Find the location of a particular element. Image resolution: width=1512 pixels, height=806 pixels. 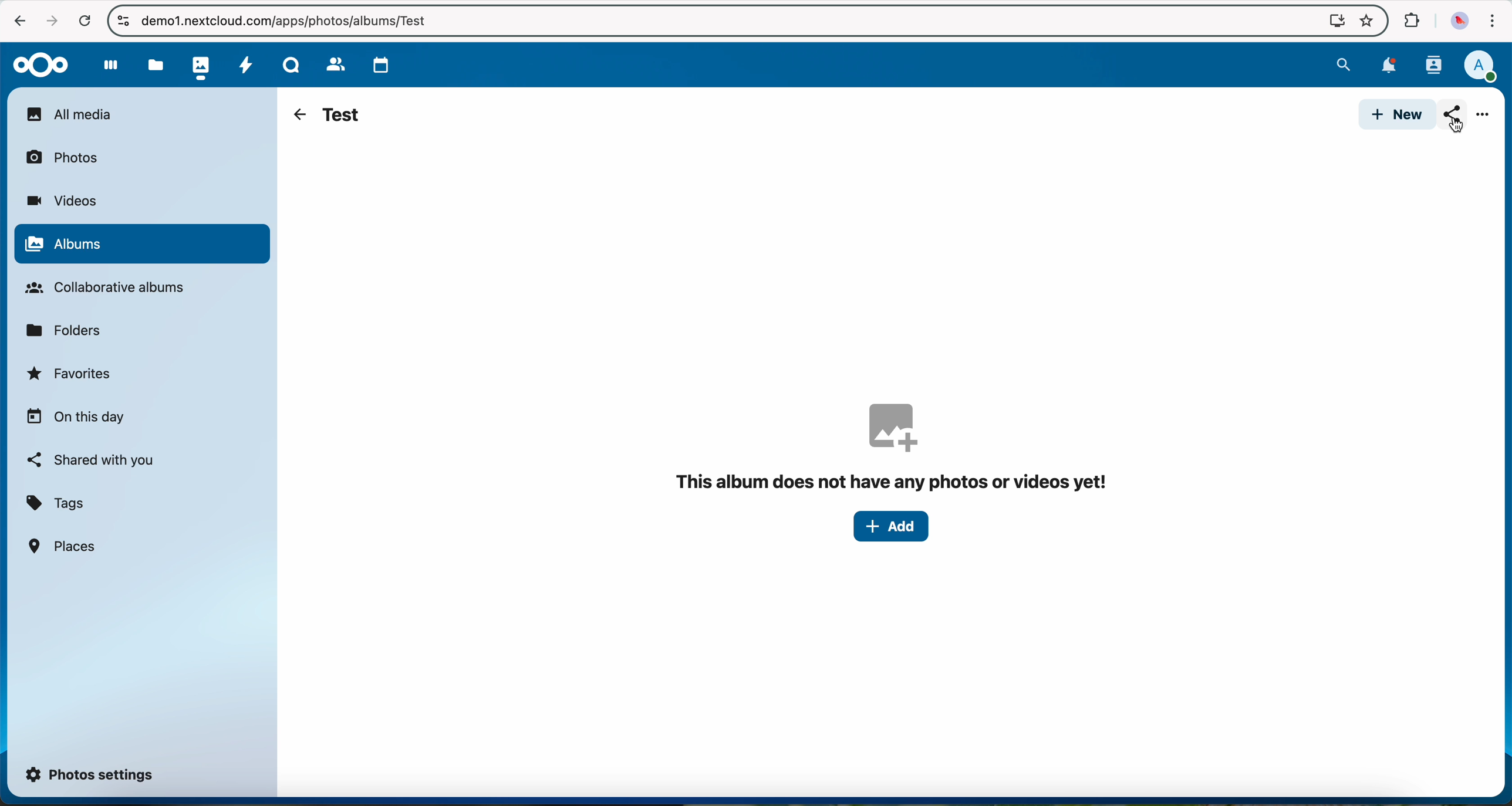

on this day is located at coordinates (76, 418).